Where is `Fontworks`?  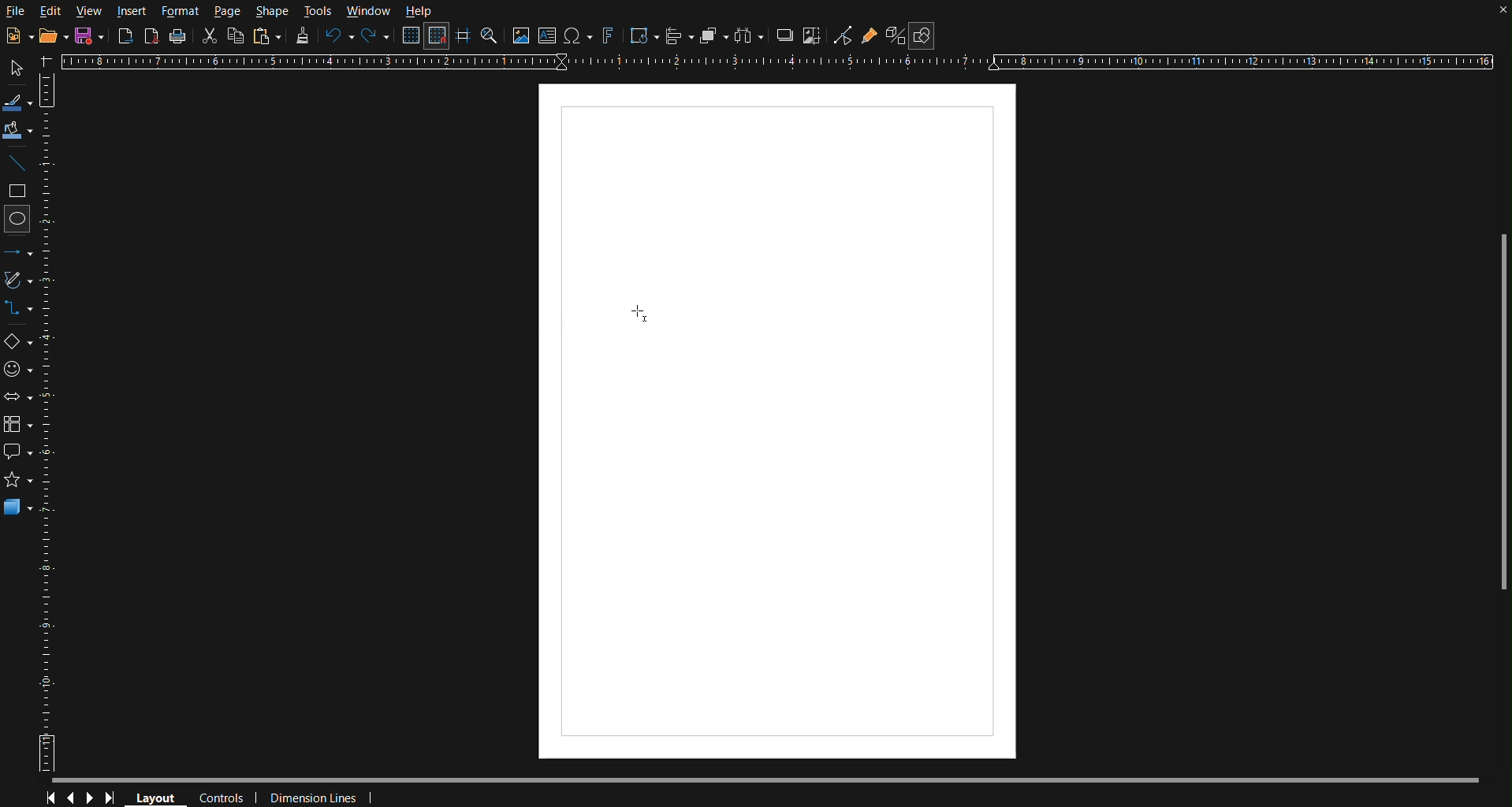
Fontworks is located at coordinates (608, 36).